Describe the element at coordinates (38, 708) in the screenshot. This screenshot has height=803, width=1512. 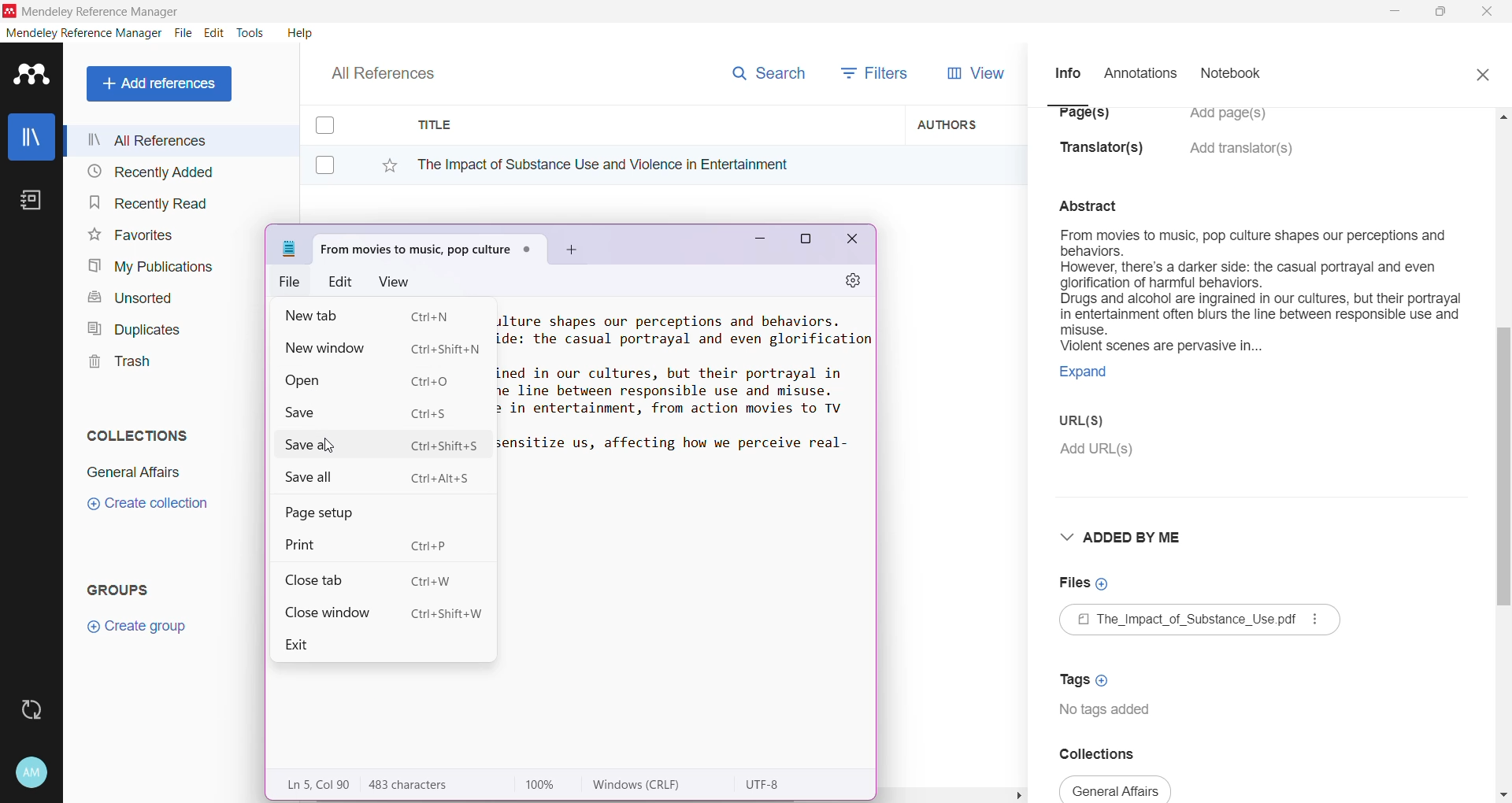
I see `Last Sync` at that location.